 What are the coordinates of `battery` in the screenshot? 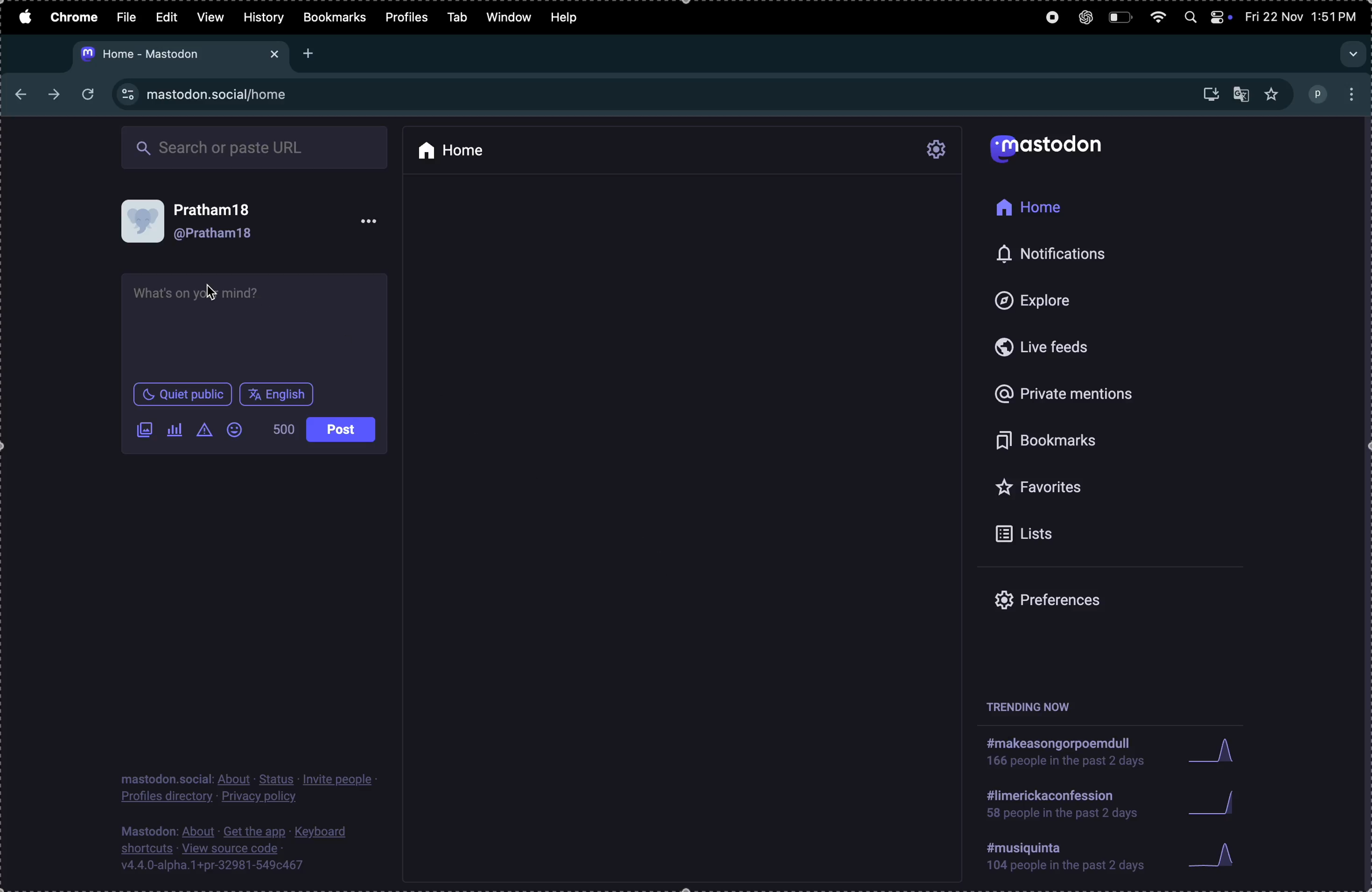 It's located at (1118, 16).